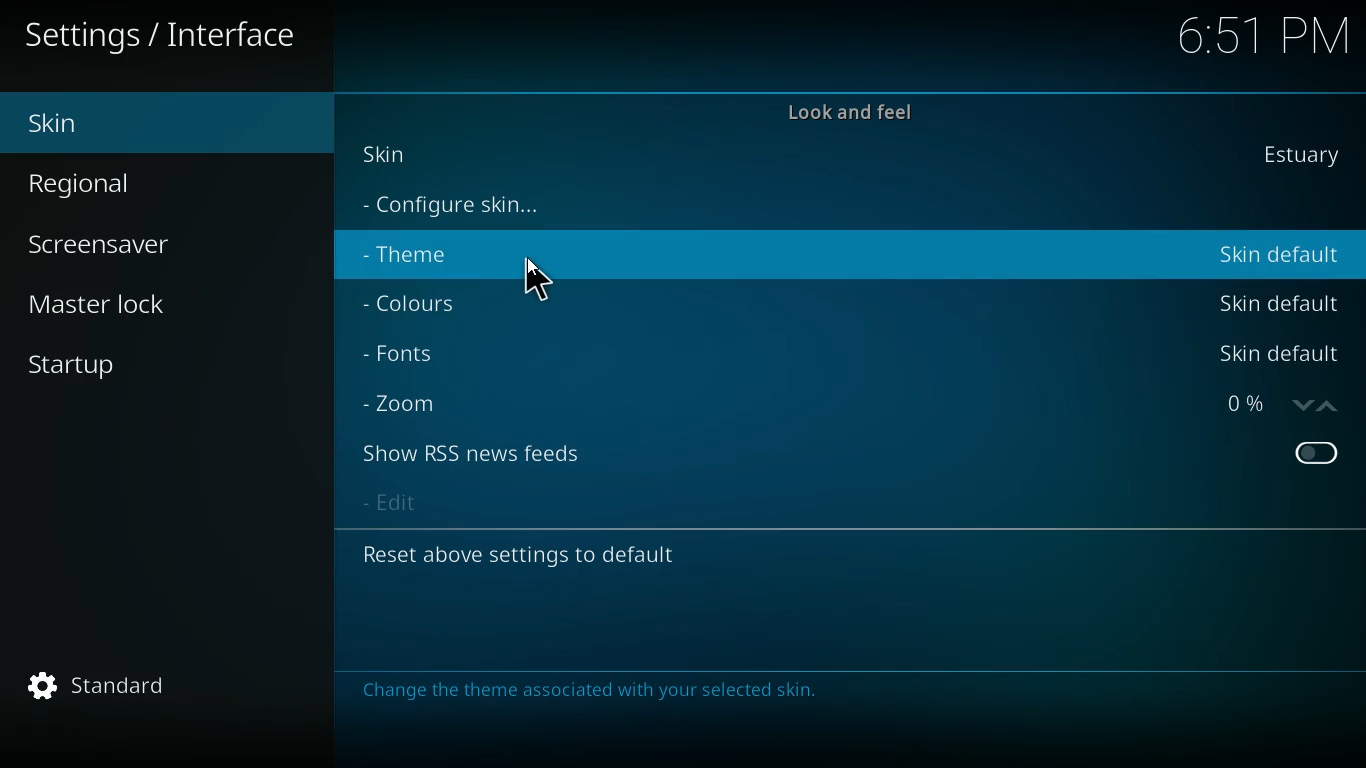 The height and width of the screenshot is (768, 1366). Describe the element at coordinates (143, 185) in the screenshot. I see `regional` at that location.